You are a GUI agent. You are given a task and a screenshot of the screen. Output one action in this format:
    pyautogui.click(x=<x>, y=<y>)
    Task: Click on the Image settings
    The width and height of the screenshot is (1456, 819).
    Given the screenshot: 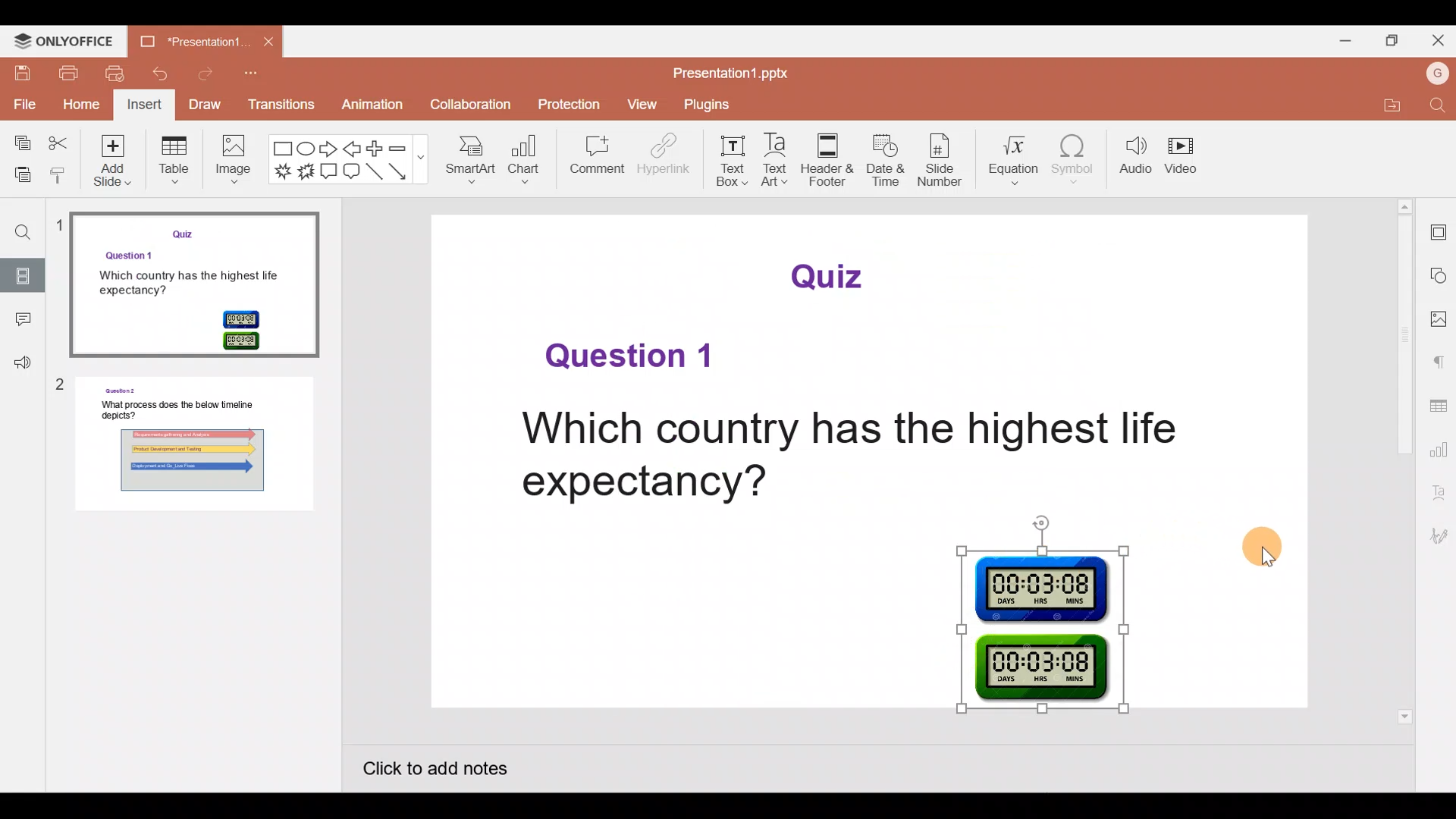 What is the action you would take?
    pyautogui.click(x=1441, y=321)
    